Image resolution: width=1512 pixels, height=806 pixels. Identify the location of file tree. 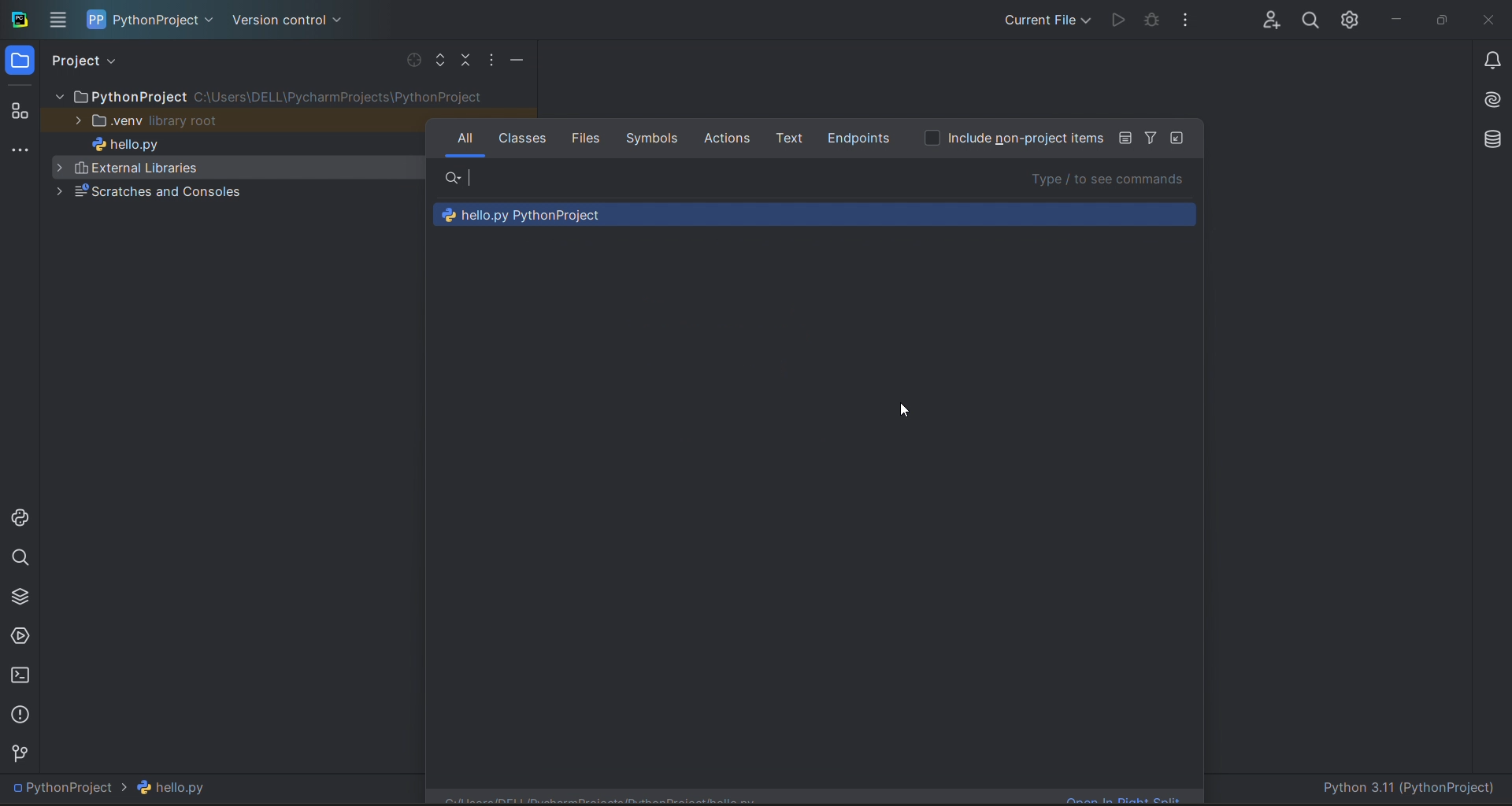
(288, 94).